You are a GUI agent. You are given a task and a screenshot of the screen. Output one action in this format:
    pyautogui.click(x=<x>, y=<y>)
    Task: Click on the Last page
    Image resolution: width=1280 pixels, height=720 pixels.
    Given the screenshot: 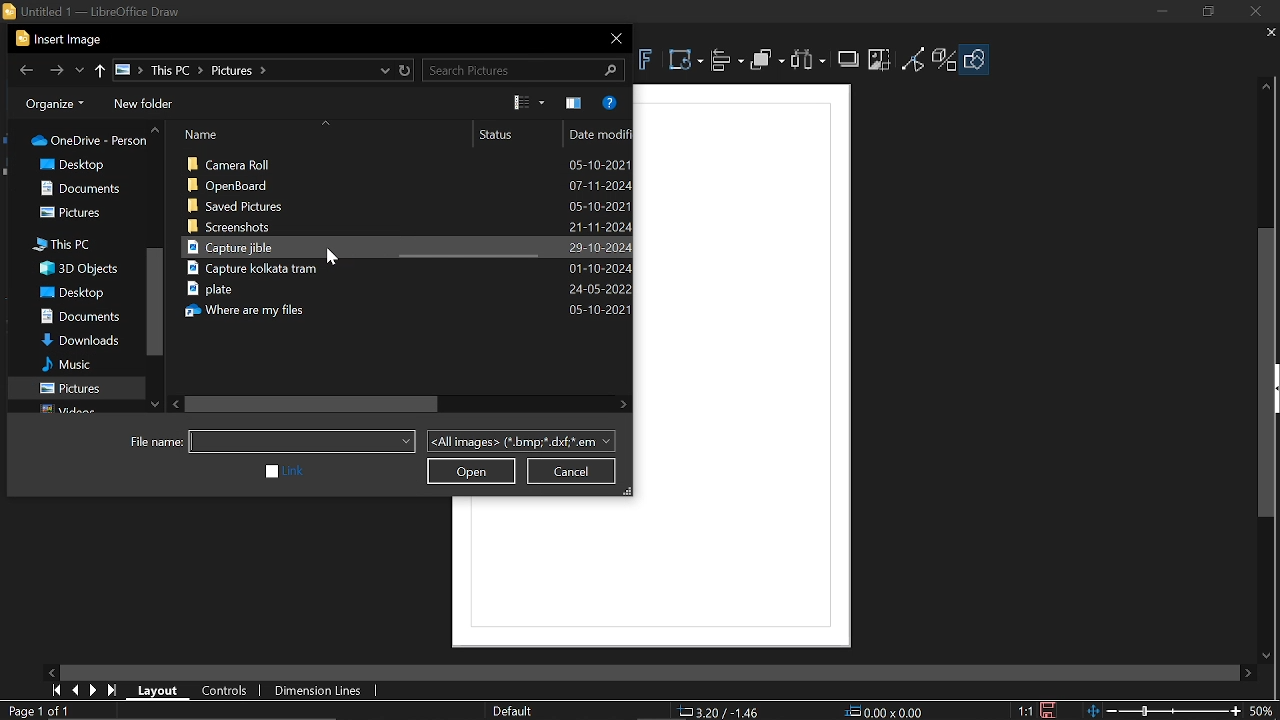 What is the action you would take?
    pyautogui.click(x=112, y=691)
    